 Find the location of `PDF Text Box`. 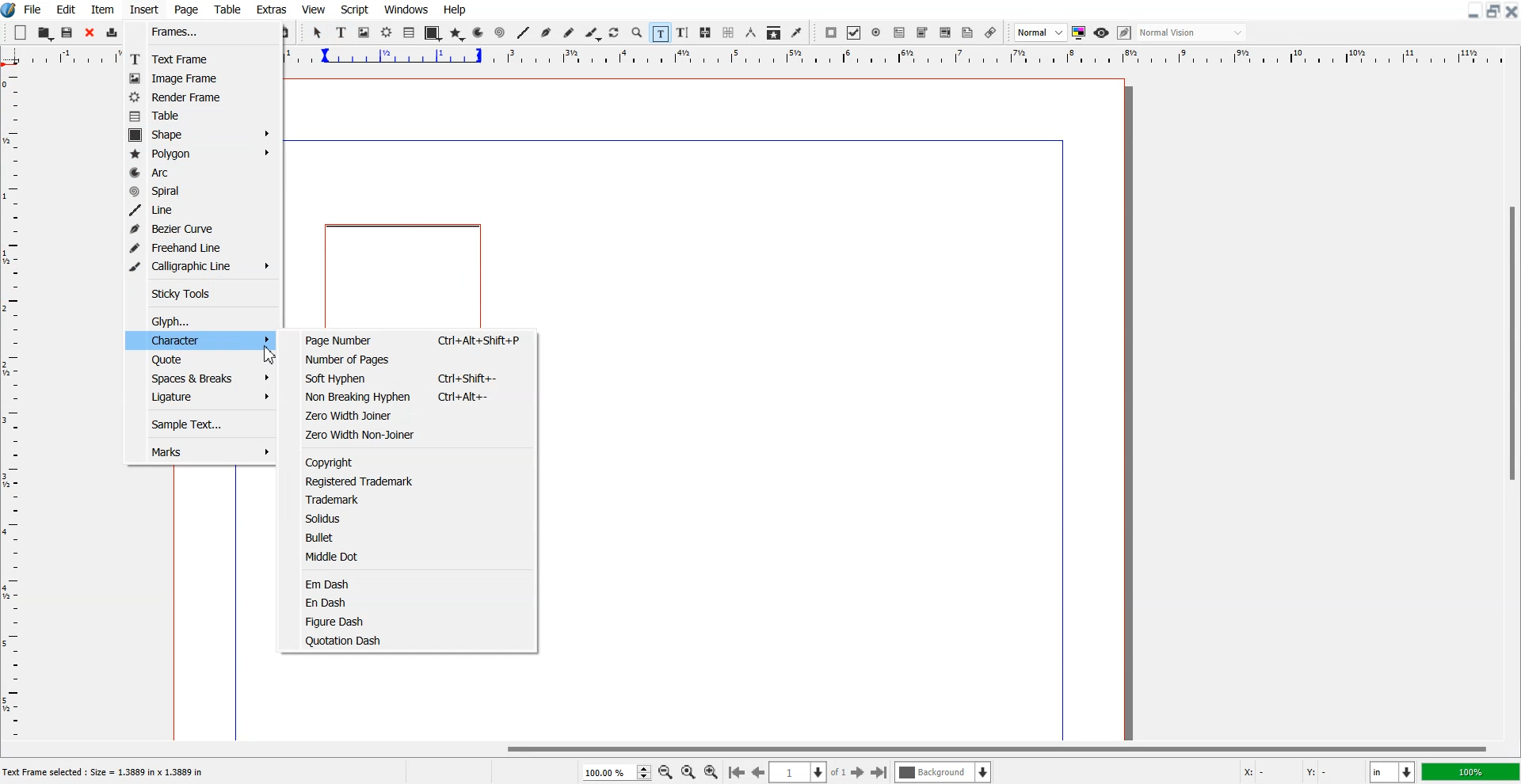

PDF Text Box is located at coordinates (899, 32).